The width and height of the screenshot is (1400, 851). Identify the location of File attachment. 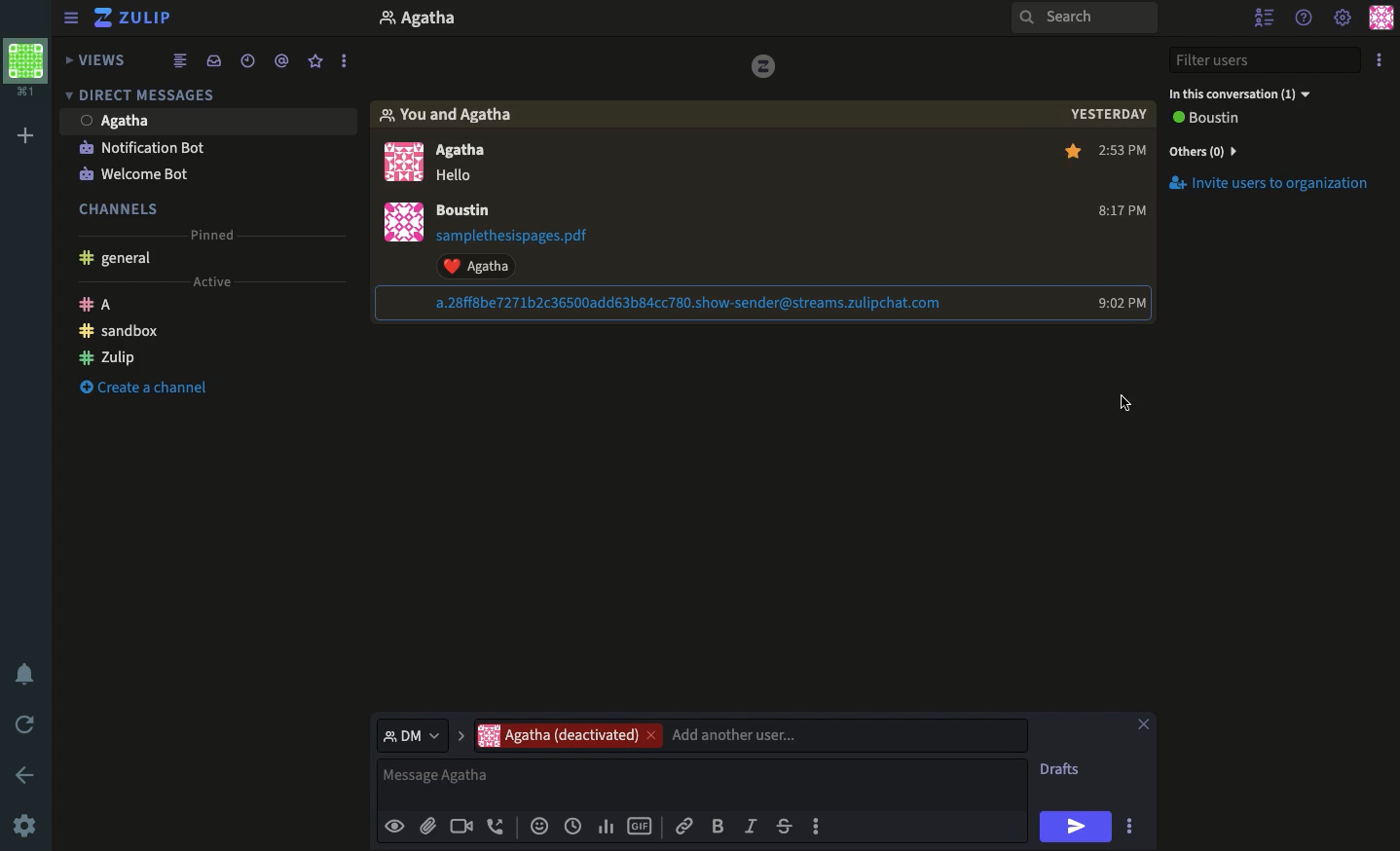
(519, 238).